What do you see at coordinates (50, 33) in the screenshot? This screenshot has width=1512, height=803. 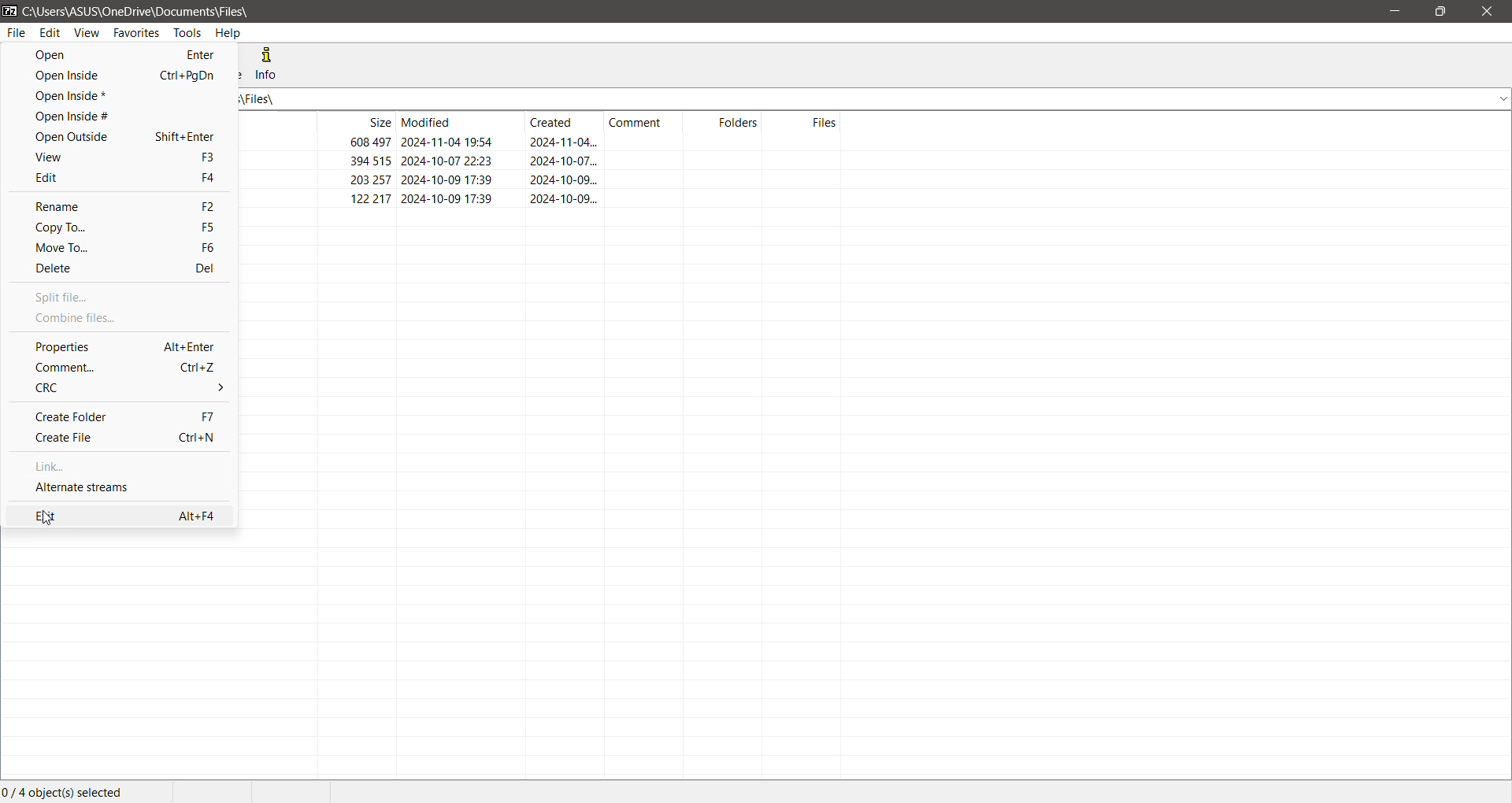 I see `Edit` at bounding box center [50, 33].